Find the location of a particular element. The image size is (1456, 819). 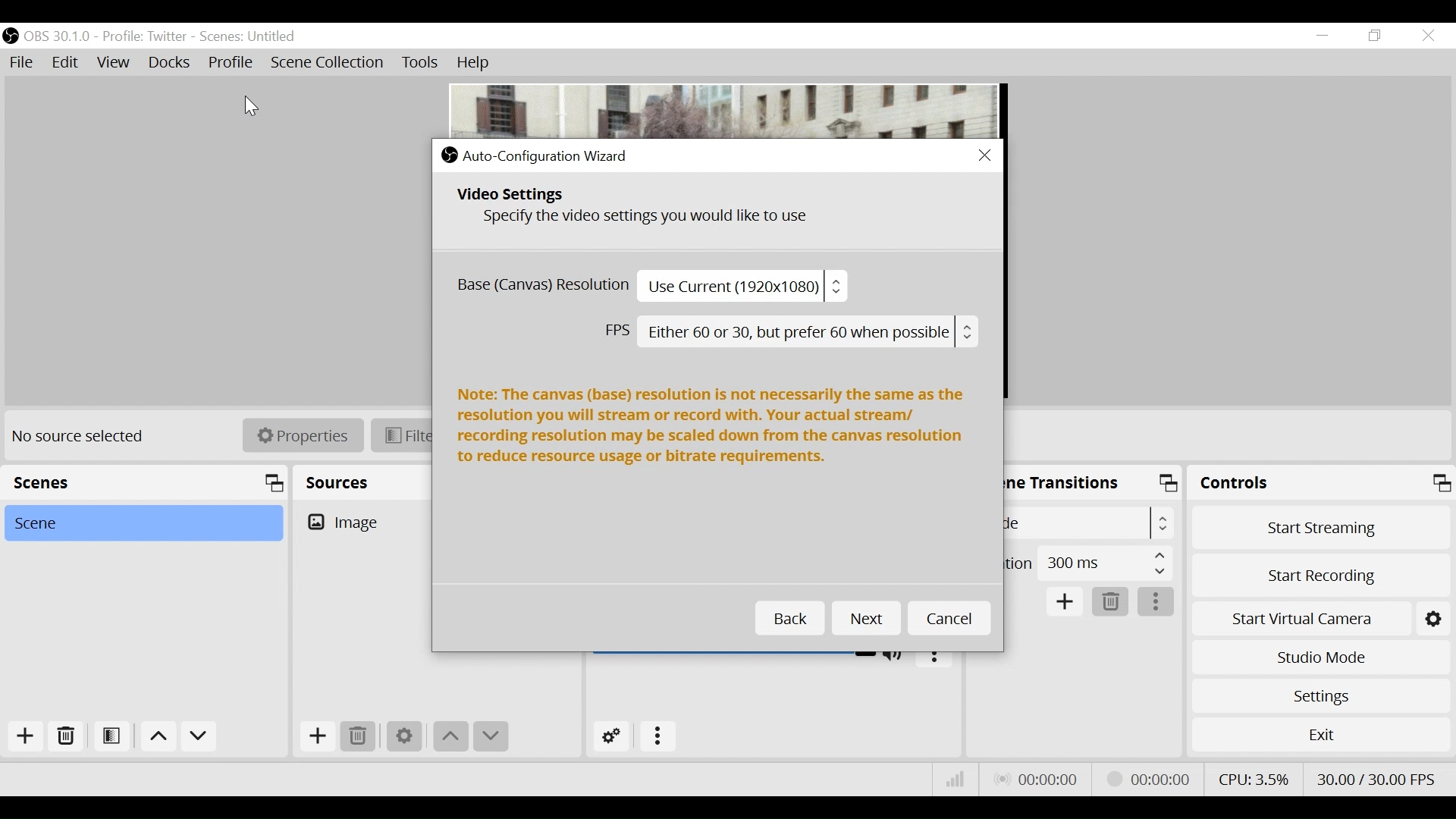

Sources is located at coordinates (337, 479).